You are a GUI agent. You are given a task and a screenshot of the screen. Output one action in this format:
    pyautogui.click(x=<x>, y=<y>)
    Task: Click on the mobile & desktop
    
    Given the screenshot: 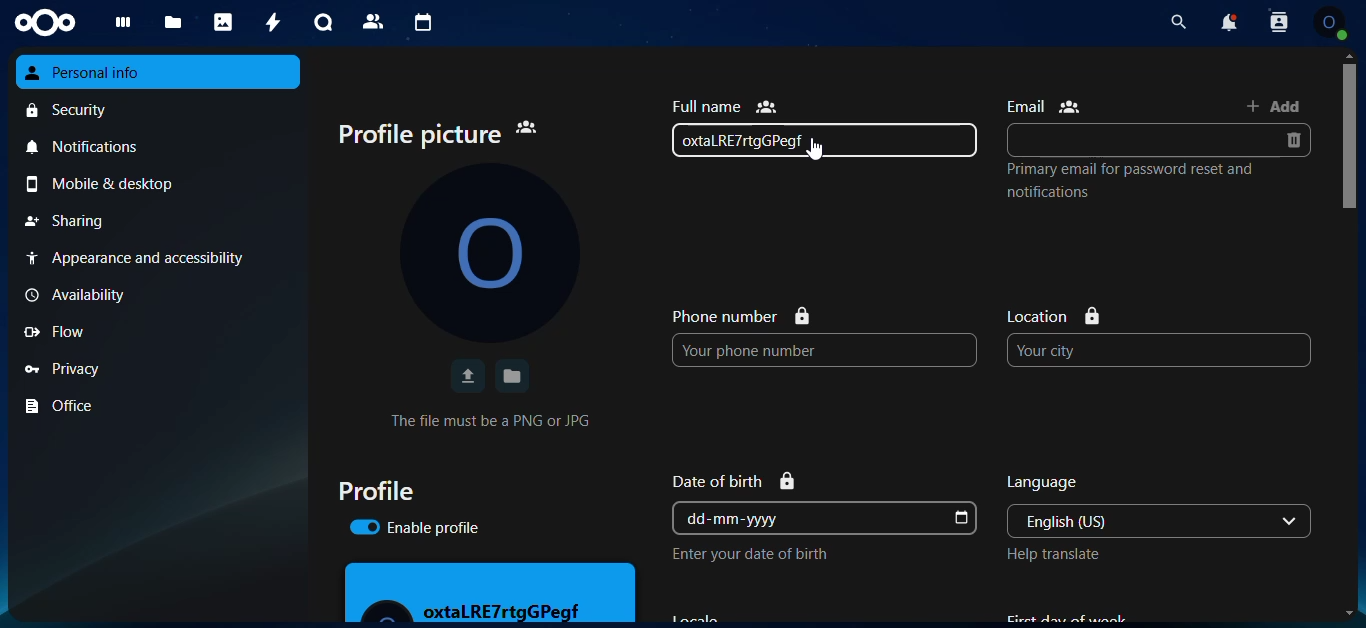 What is the action you would take?
    pyautogui.click(x=161, y=184)
    